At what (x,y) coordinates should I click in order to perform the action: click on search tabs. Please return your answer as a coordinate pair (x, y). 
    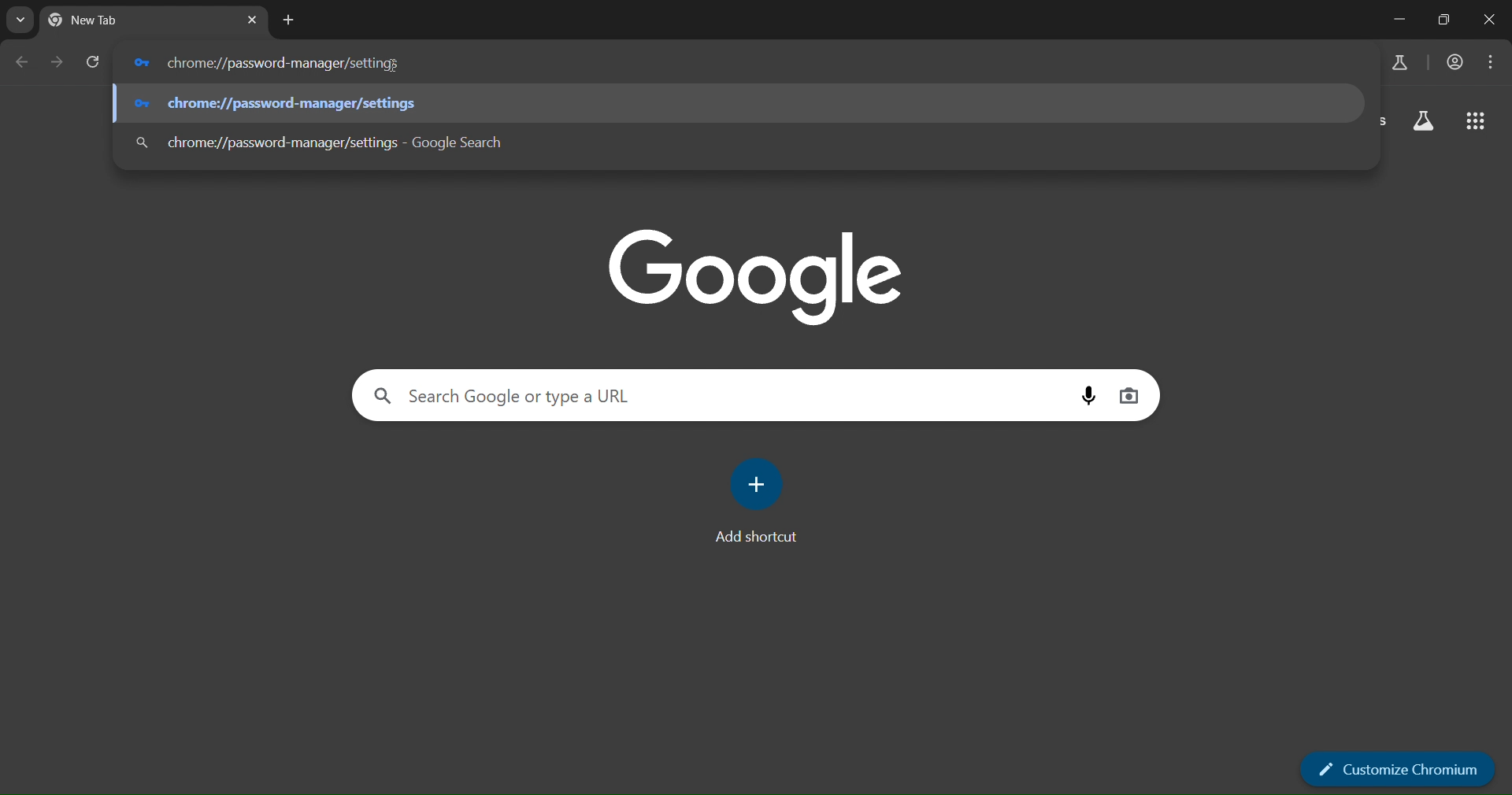
    Looking at the image, I should click on (20, 21).